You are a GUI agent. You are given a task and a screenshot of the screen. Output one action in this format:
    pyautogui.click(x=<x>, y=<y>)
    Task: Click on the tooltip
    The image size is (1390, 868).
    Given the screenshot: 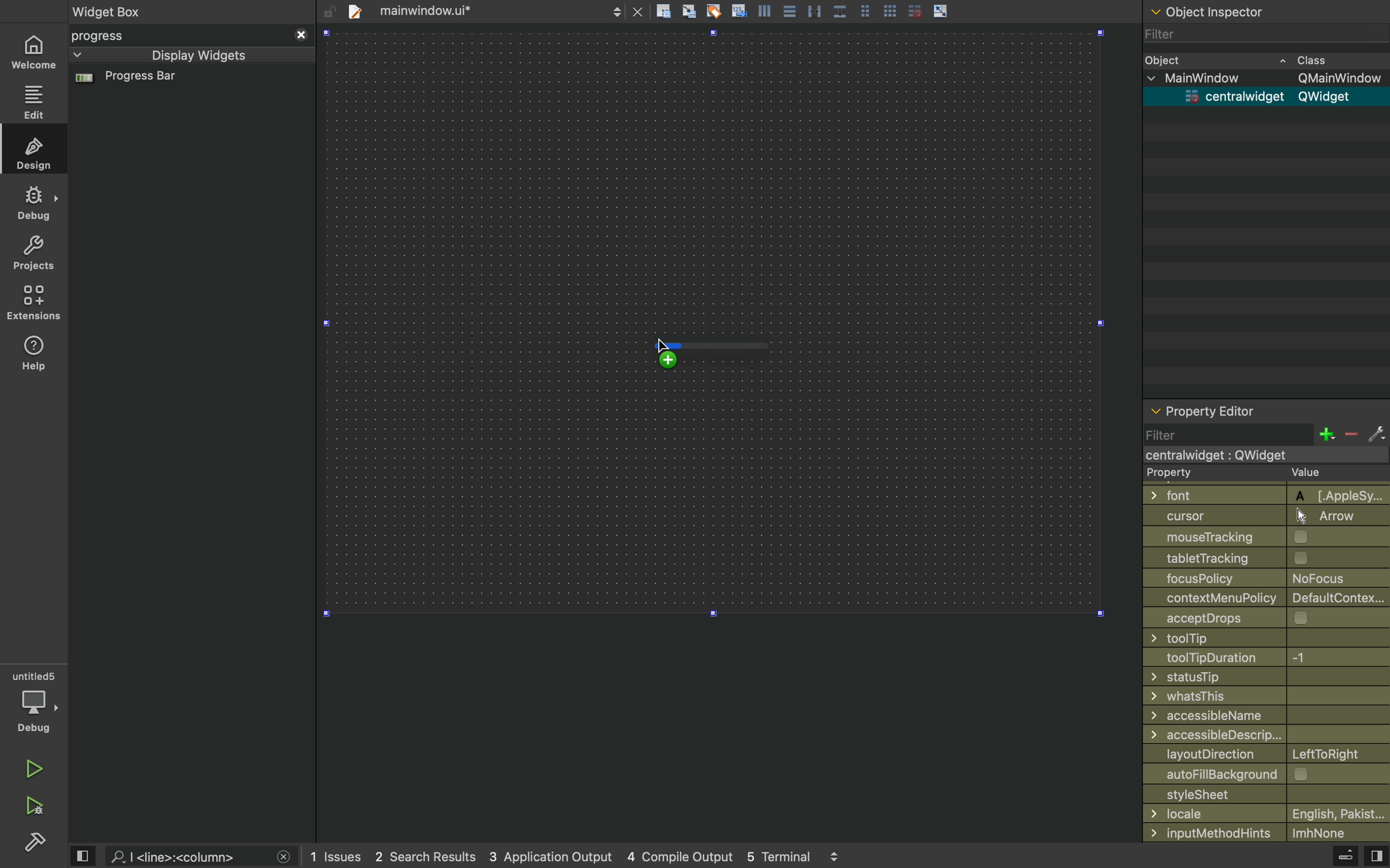 What is the action you would take?
    pyautogui.click(x=1255, y=638)
    